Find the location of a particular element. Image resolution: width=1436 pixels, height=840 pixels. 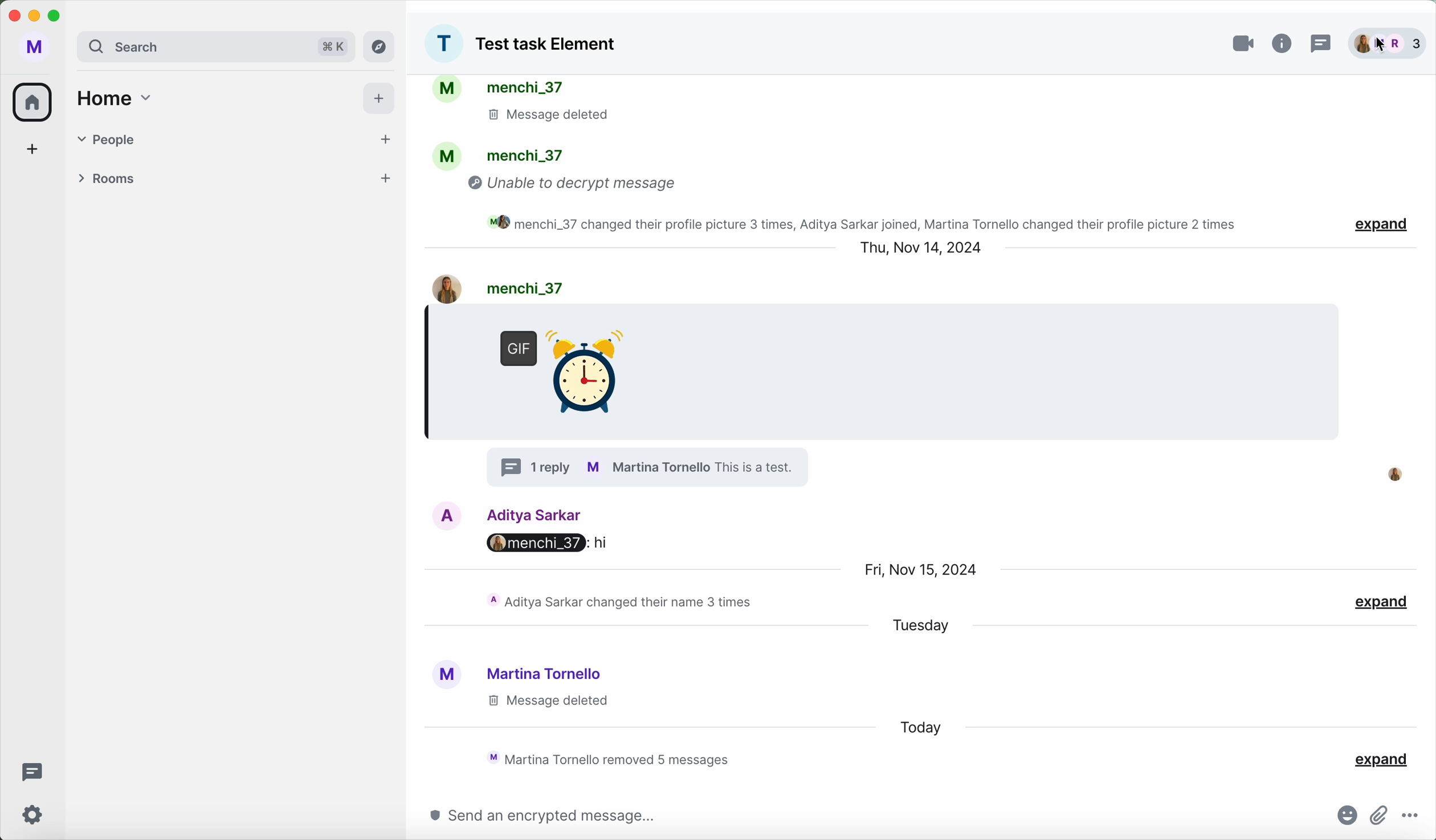

expand is located at coordinates (1382, 761).